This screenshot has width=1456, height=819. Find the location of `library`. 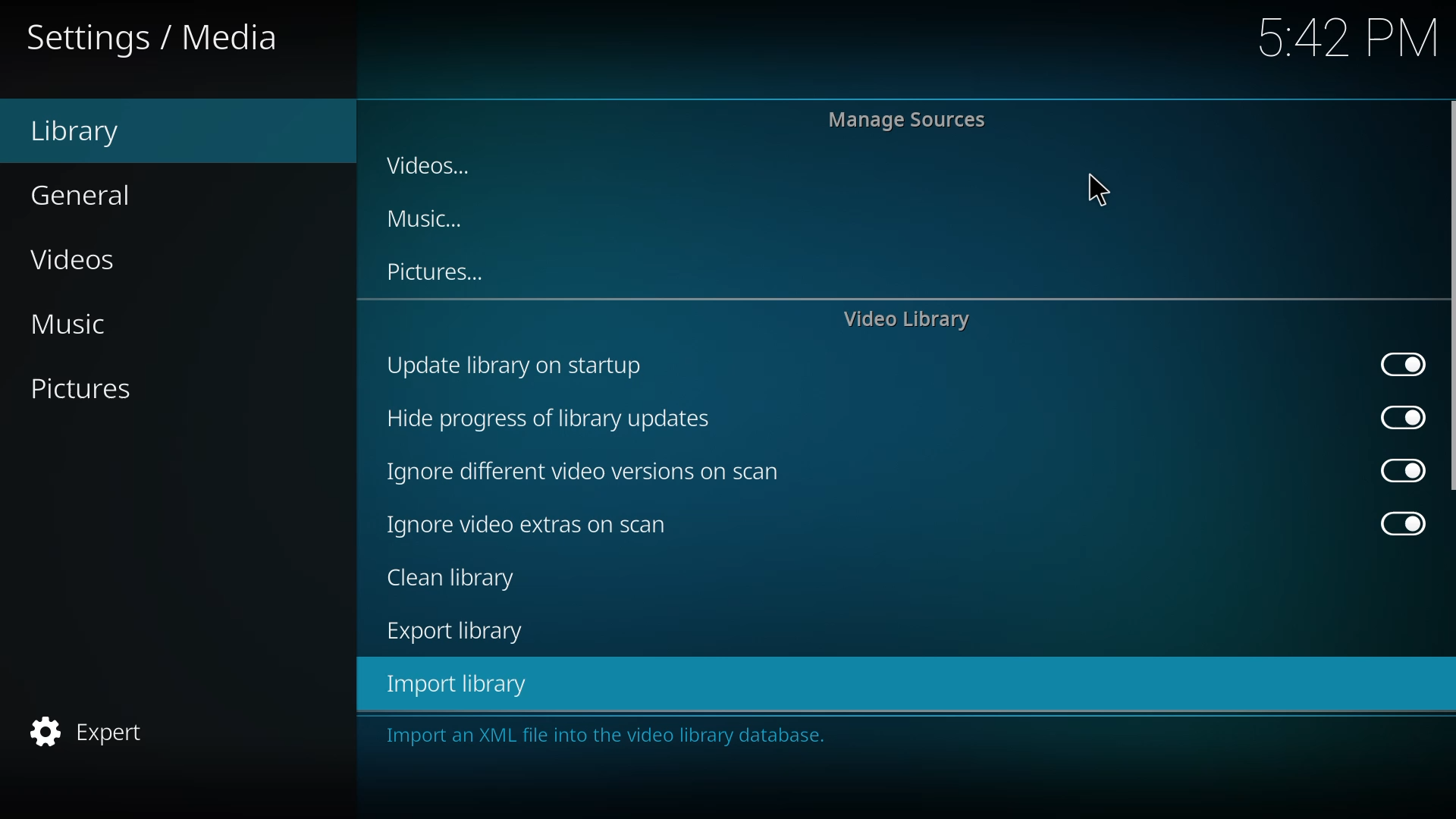

library is located at coordinates (80, 131).